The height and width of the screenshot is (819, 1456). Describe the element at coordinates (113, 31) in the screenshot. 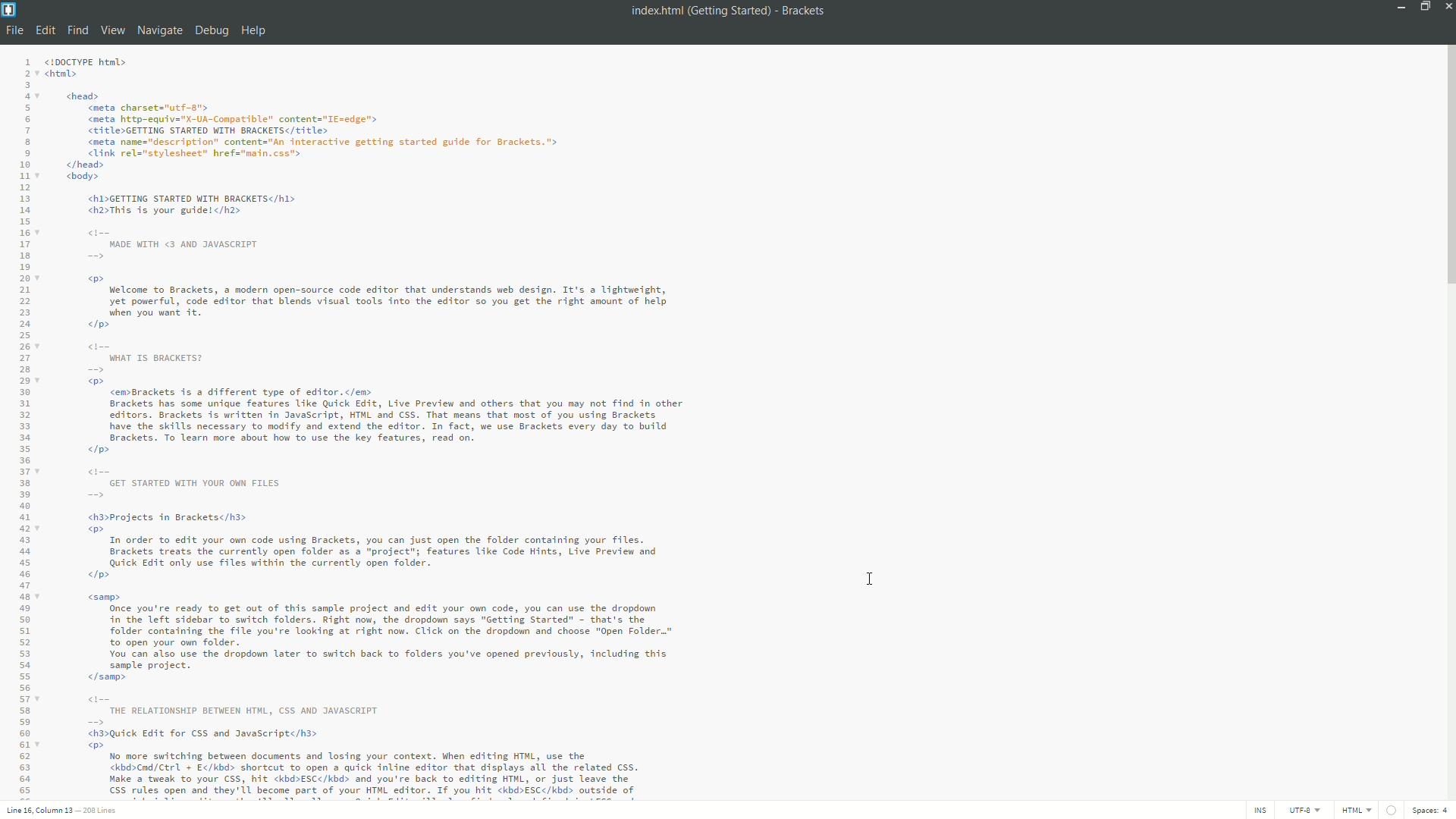

I see `view menu` at that location.